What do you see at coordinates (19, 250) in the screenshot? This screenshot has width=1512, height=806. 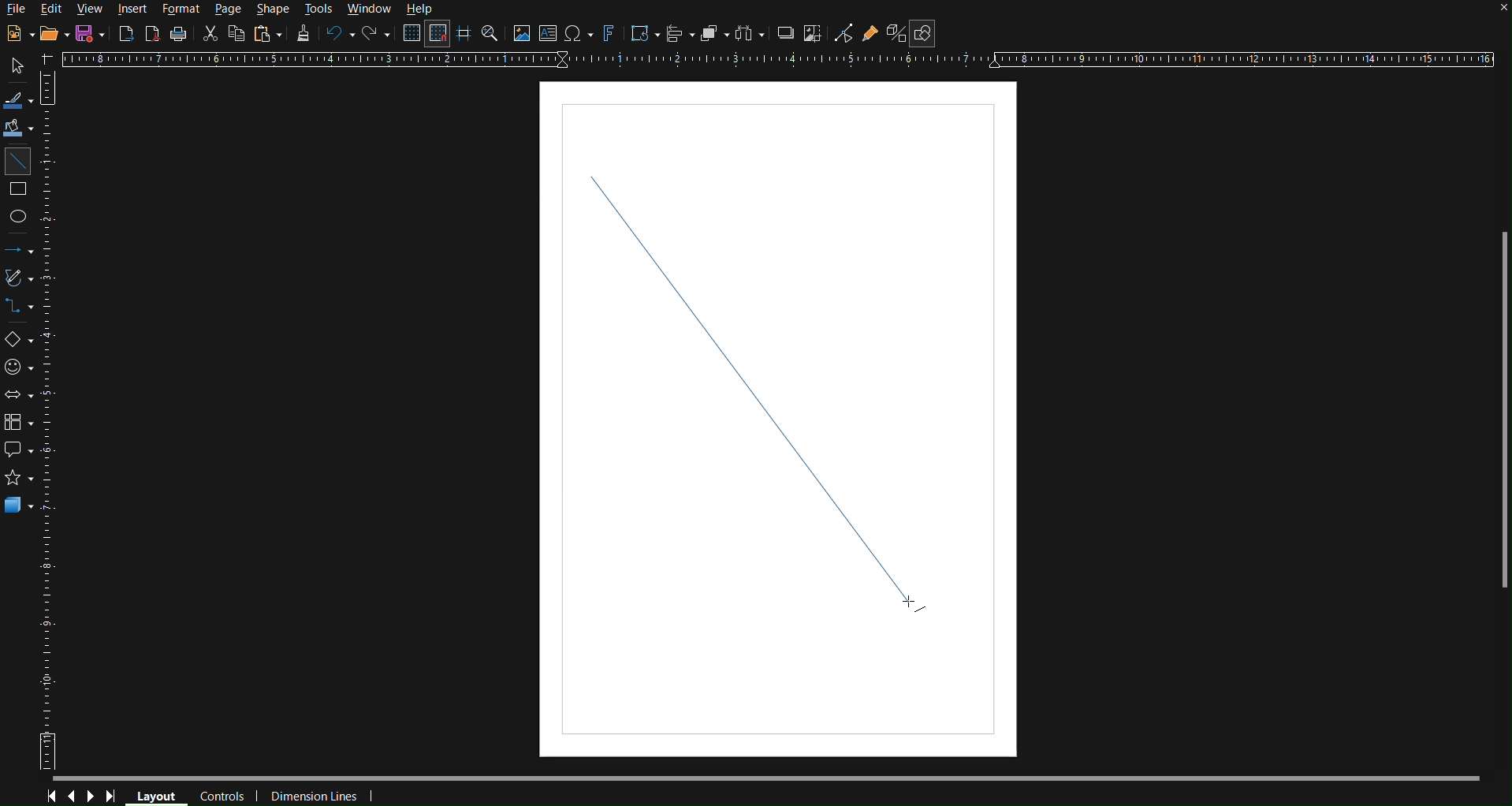 I see `Lines and Arrows` at bounding box center [19, 250].